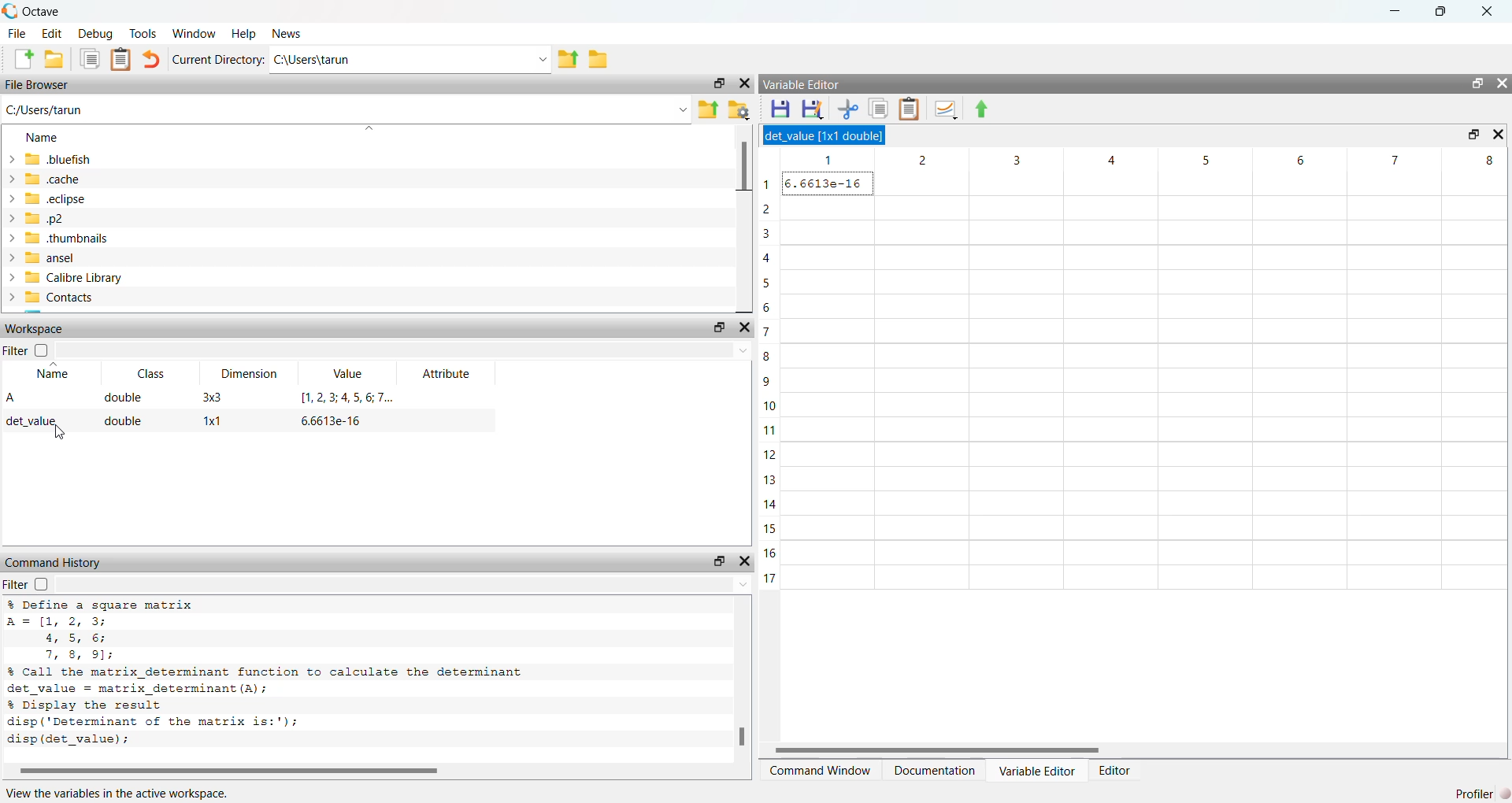 The height and width of the screenshot is (803, 1512). I want to click on close, so click(746, 560).